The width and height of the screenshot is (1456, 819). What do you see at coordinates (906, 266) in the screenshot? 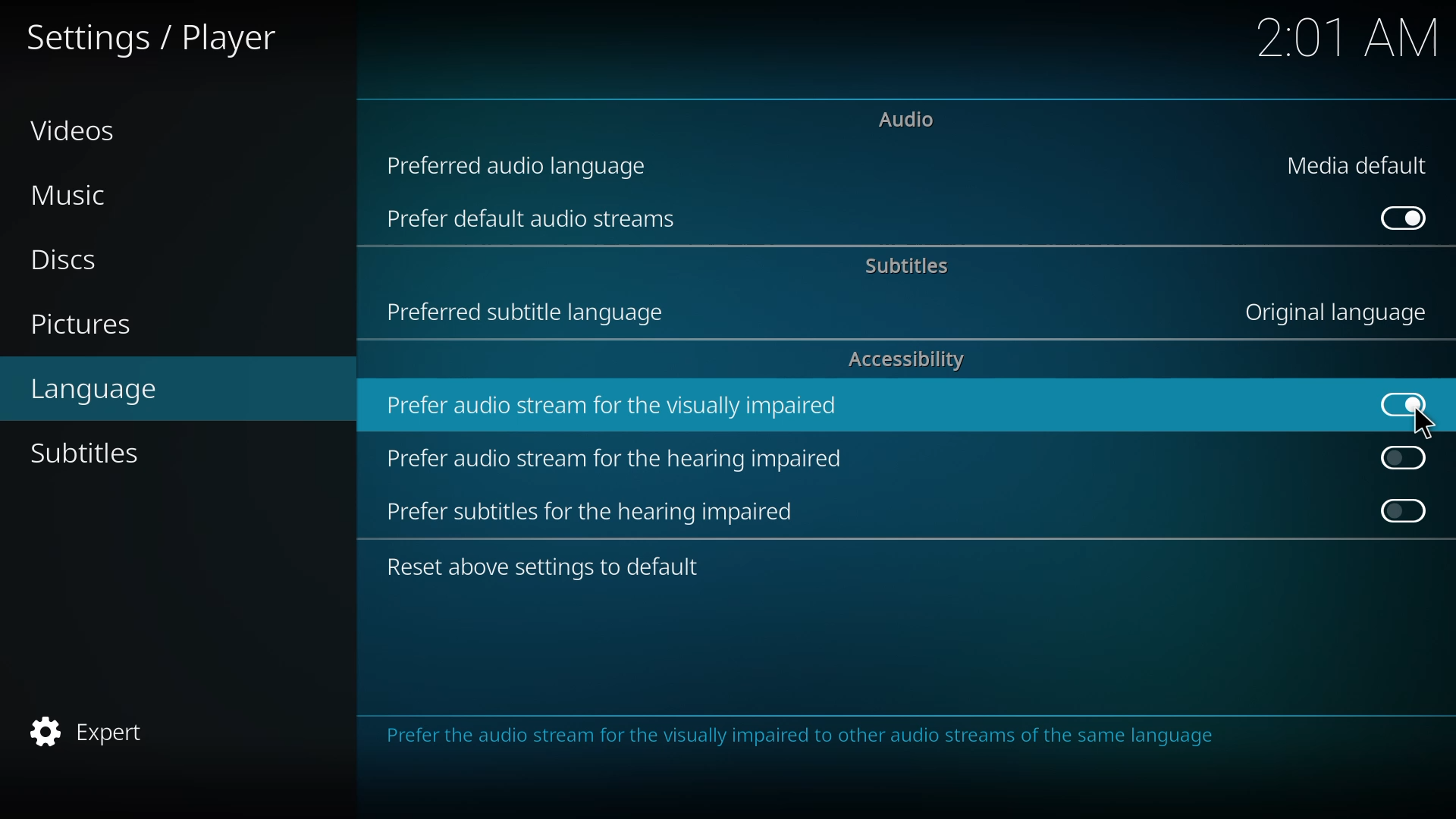
I see `subtitles` at bounding box center [906, 266].